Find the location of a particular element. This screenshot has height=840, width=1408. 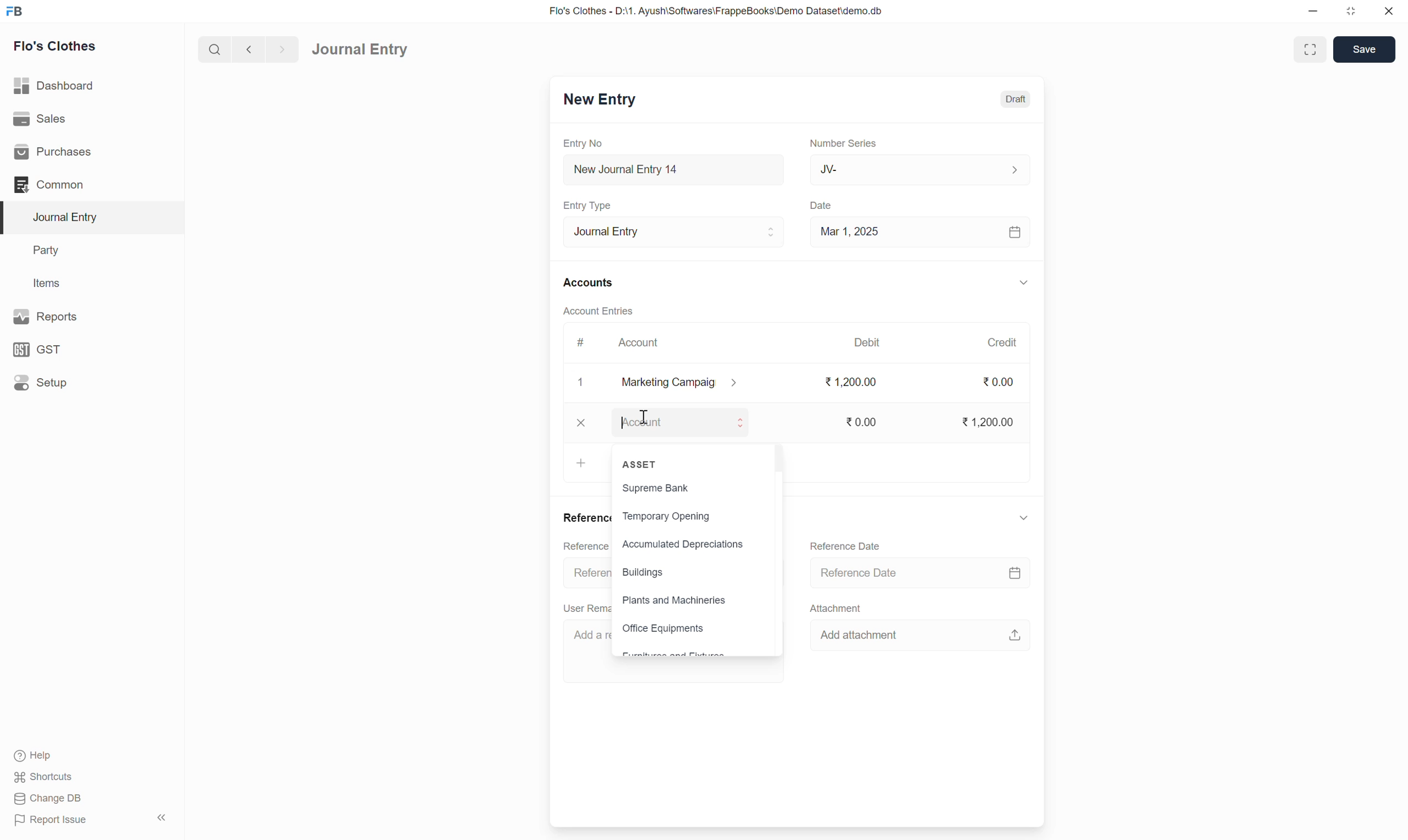

1,200.00 is located at coordinates (985, 421).